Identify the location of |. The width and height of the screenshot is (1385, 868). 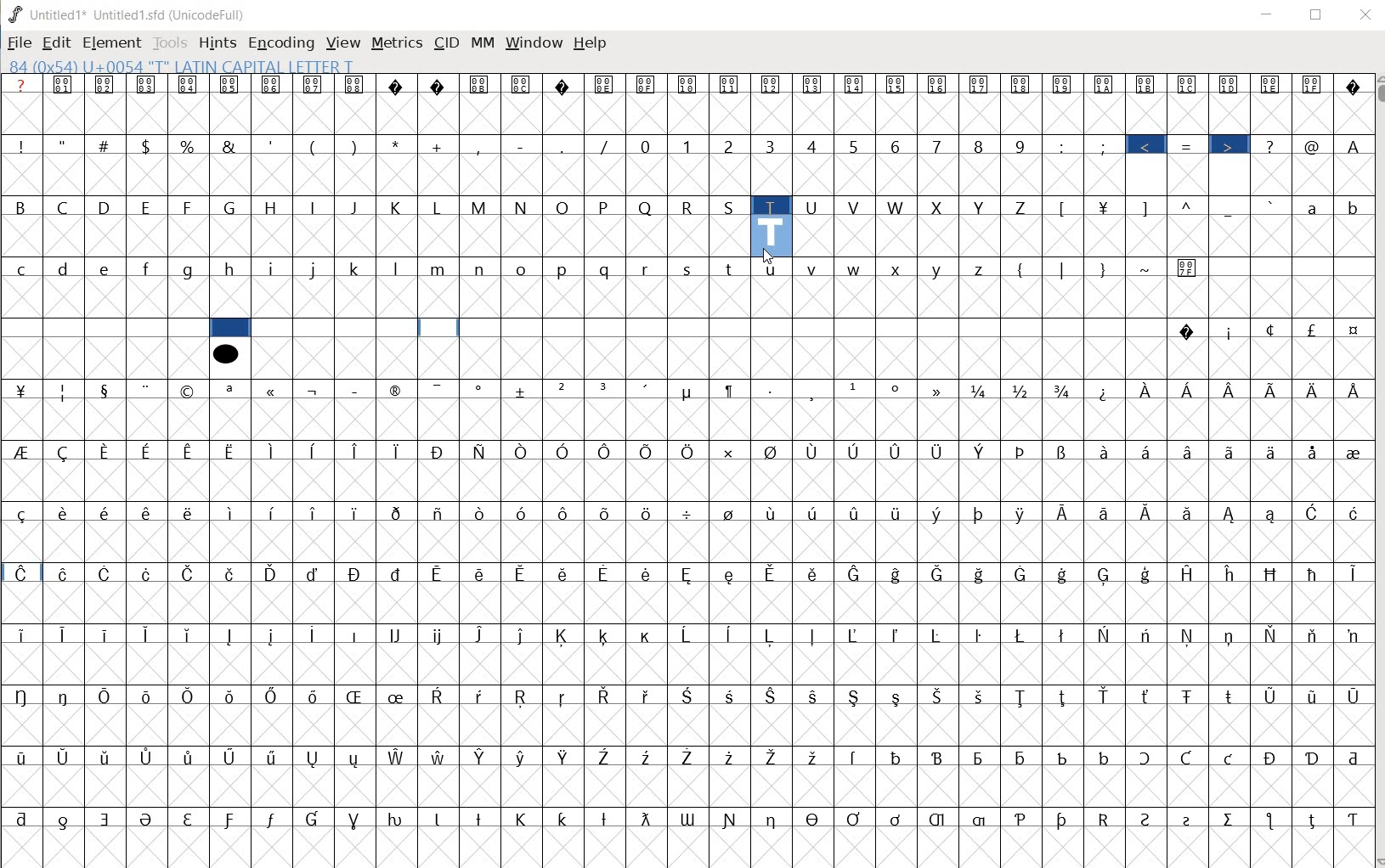
(1064, 269).